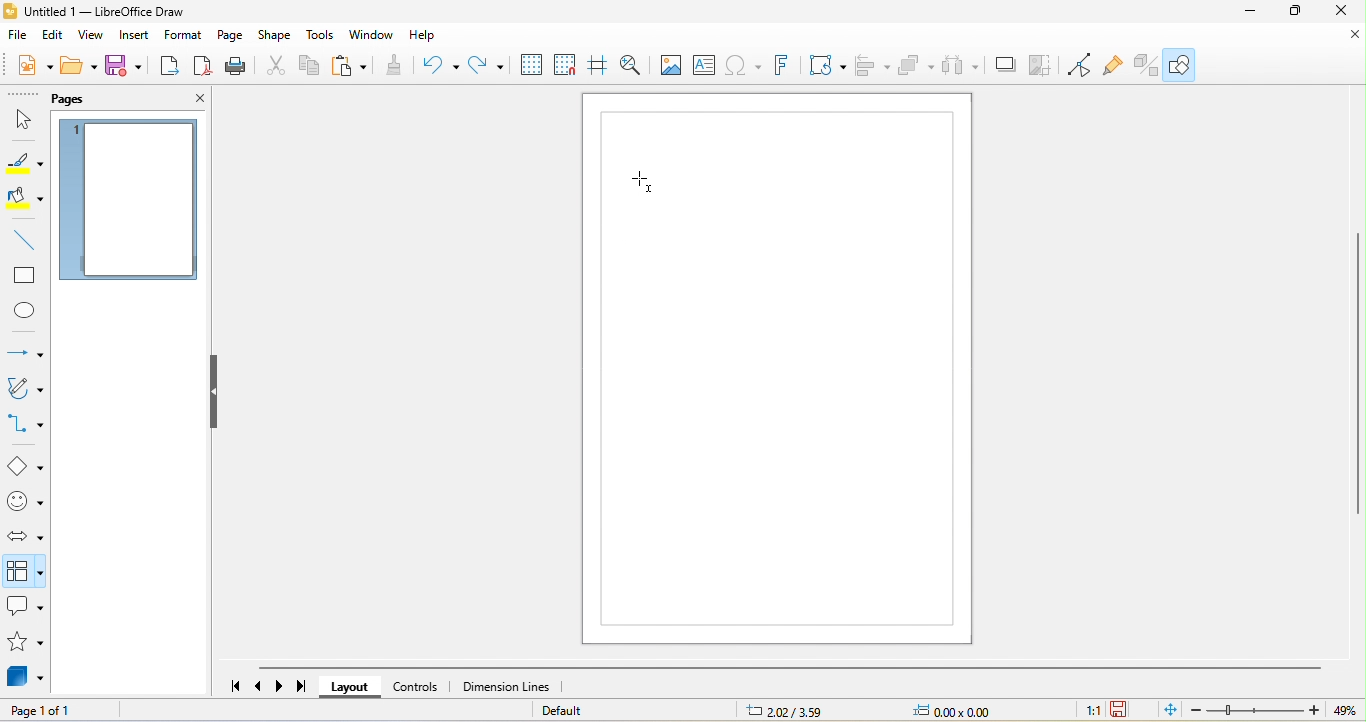  Describe the element at coordinates (349, 68) in the screenshot. I see `paste` at that location.